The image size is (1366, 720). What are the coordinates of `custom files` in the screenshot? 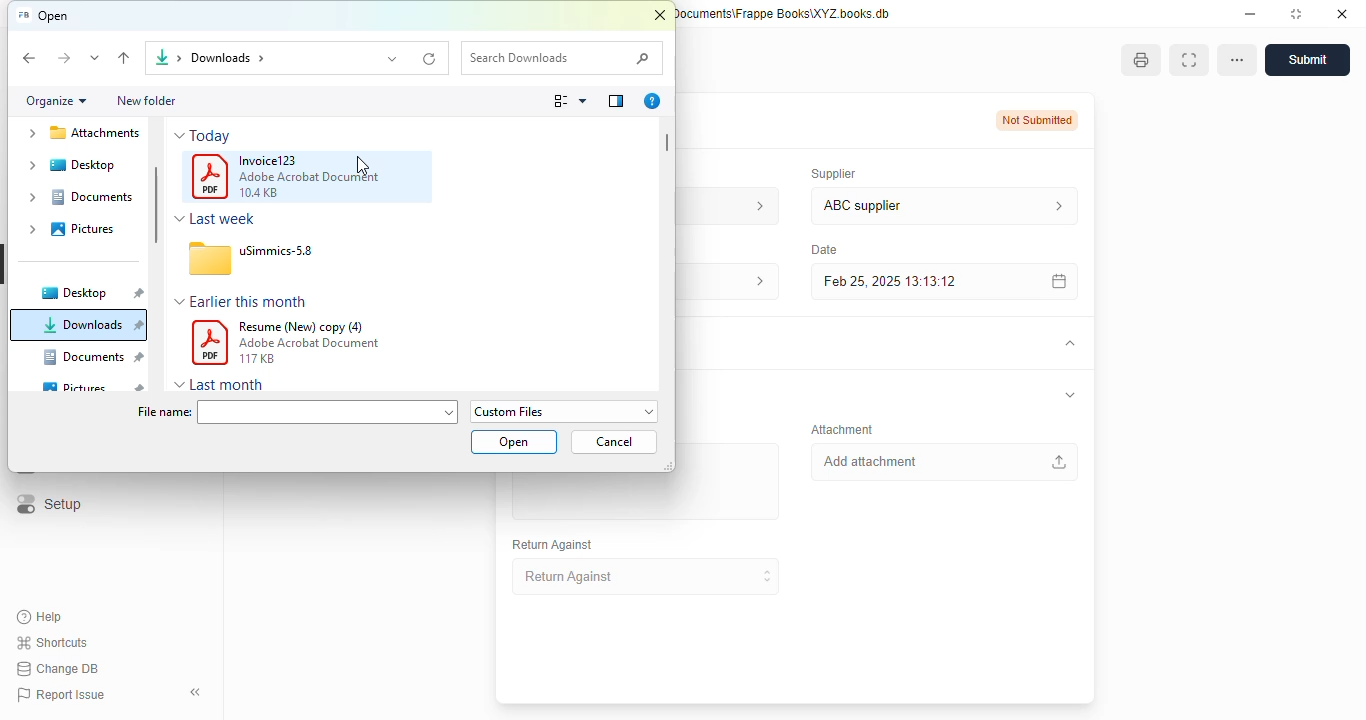 It's located at (565, 411).